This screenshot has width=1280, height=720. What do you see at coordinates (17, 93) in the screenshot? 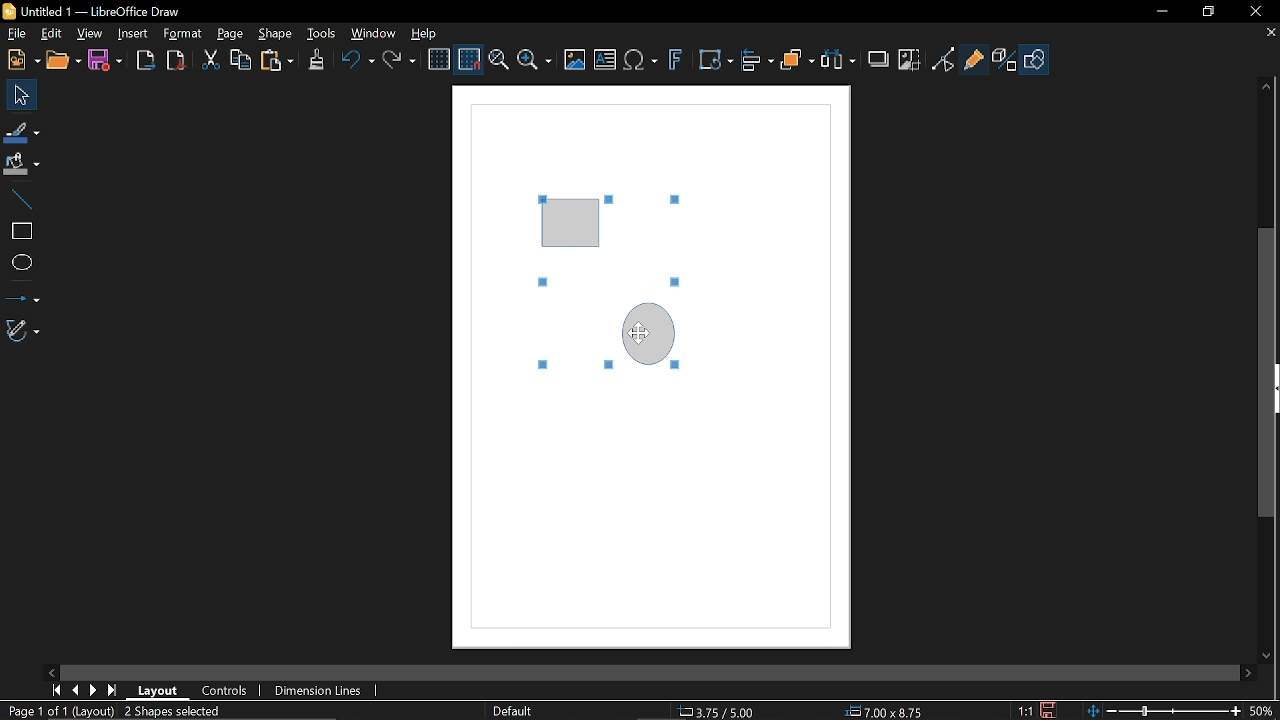
I see `Select` at bounding box center [17, 93].